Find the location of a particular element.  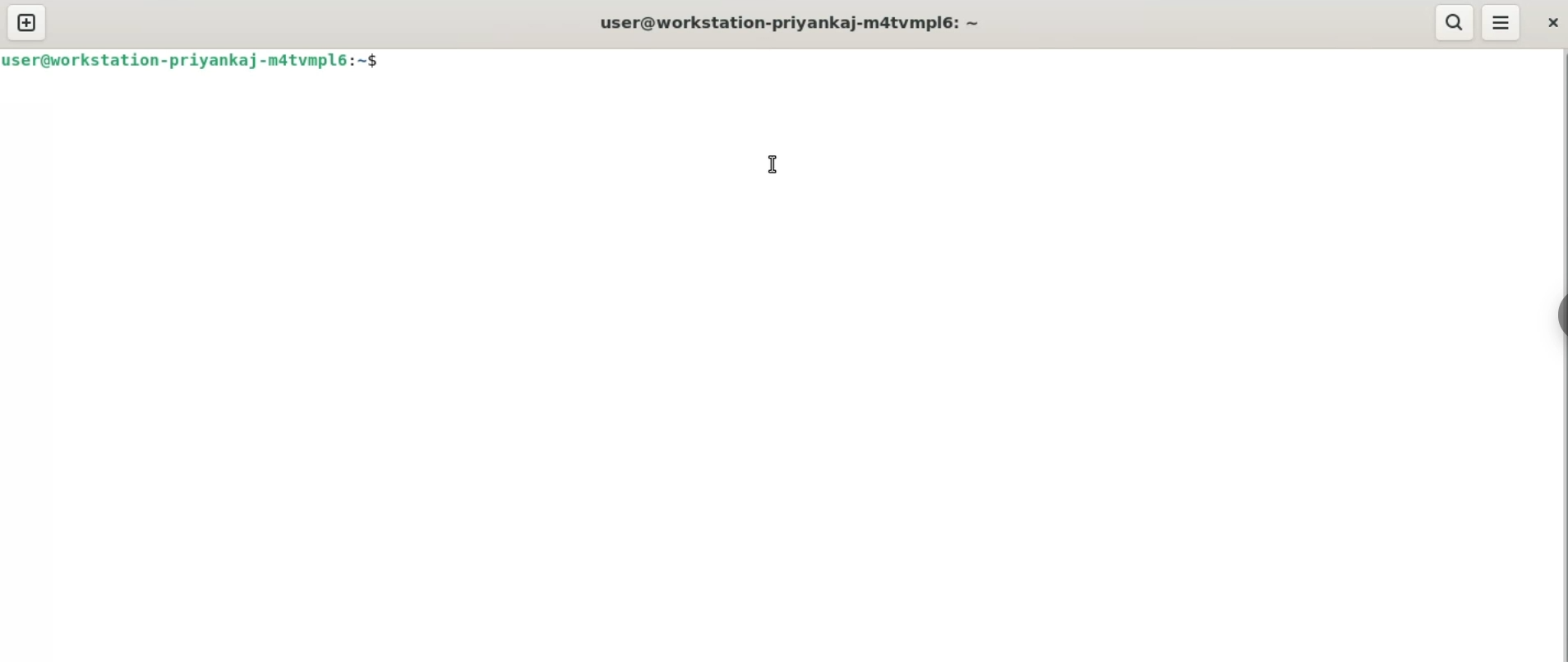

user@workstation-priyankaj-m4tvmpl6: ~$ is located at coordinates (191, 59).